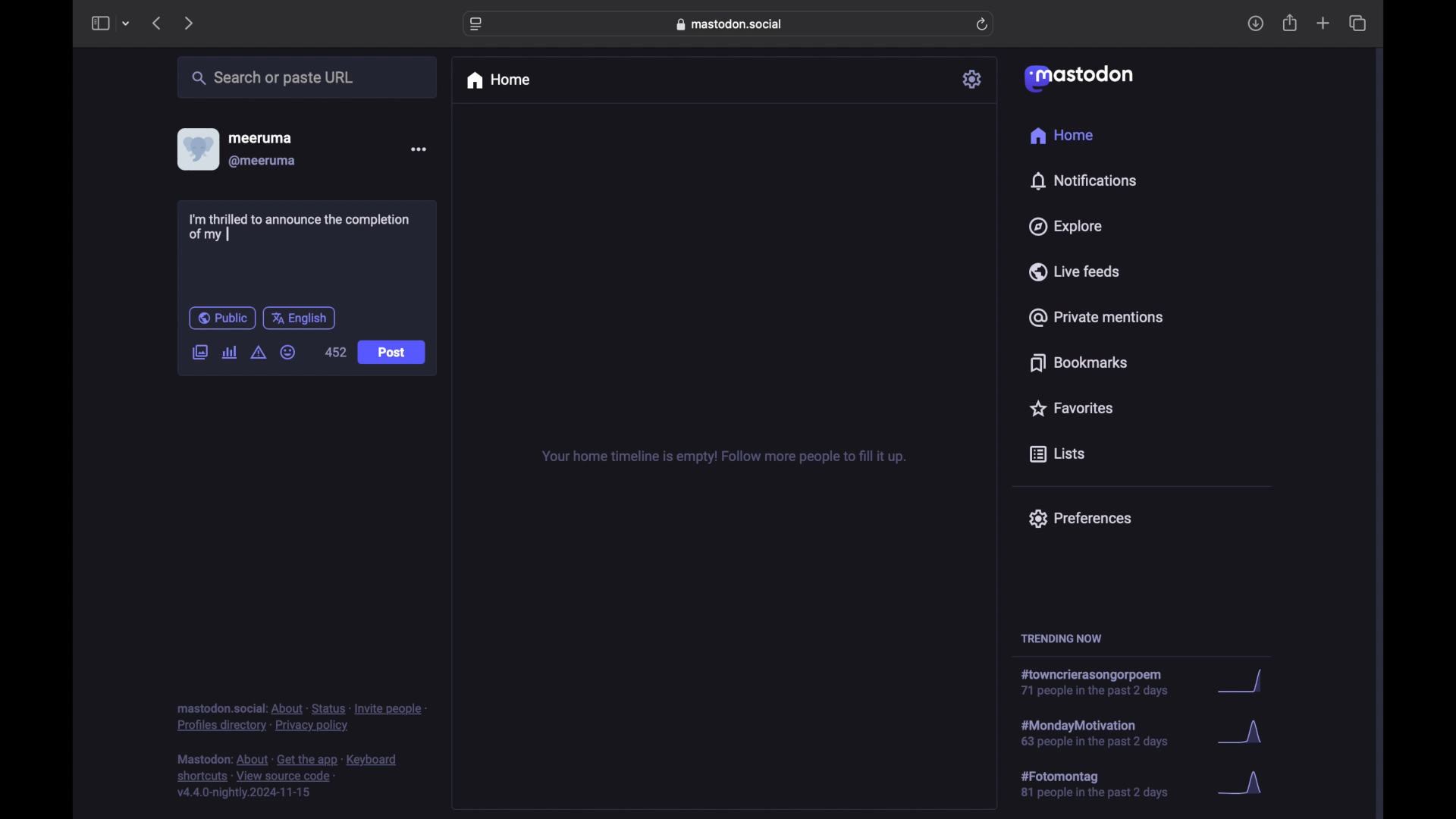 The height and width of the screenshot is (819, 1456). I want to click on hashtag  trend, so click(1109, 732).